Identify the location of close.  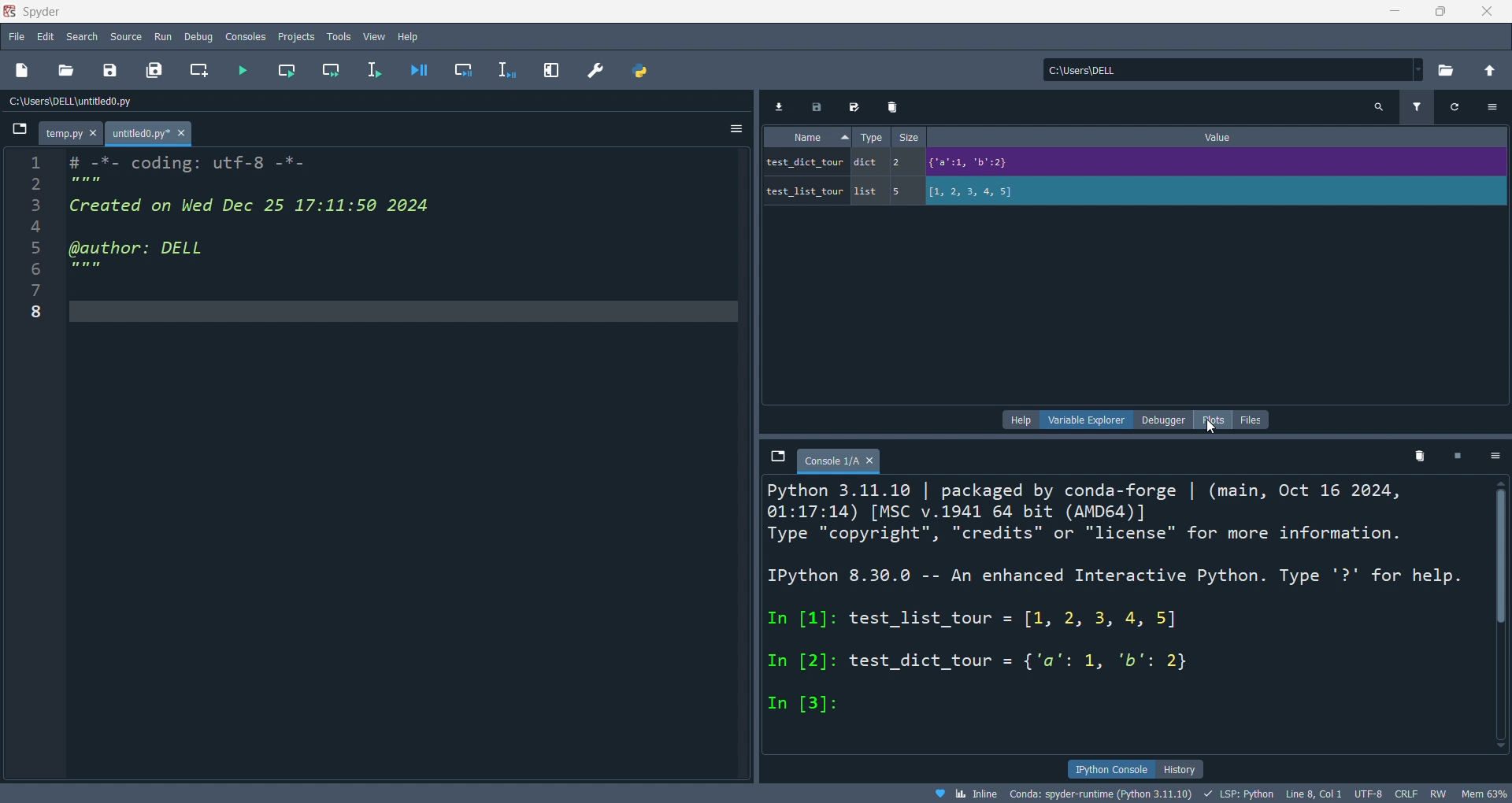
(1488, 11).